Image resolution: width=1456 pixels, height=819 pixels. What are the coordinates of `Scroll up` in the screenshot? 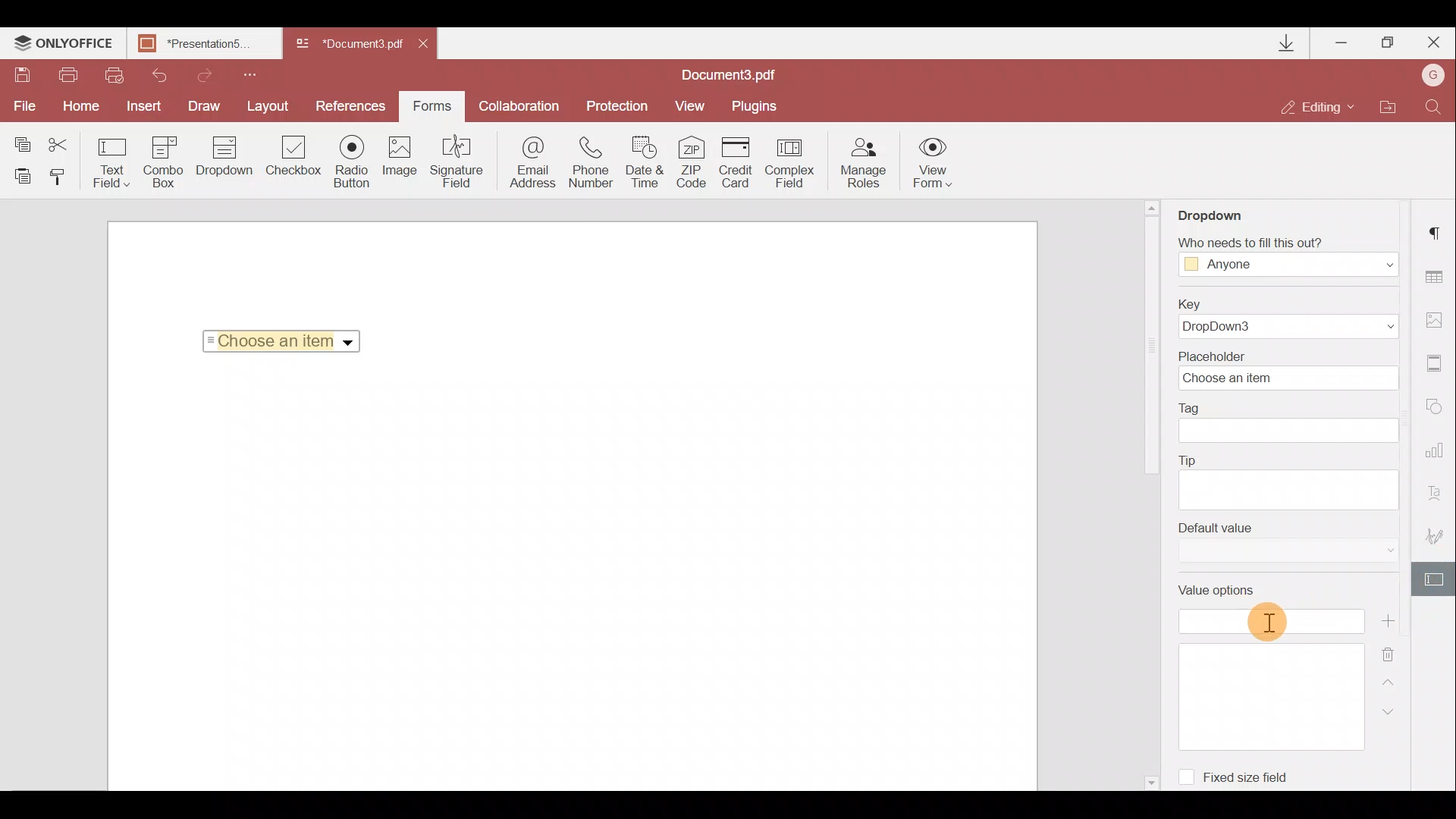 It's located at (1153, 207).